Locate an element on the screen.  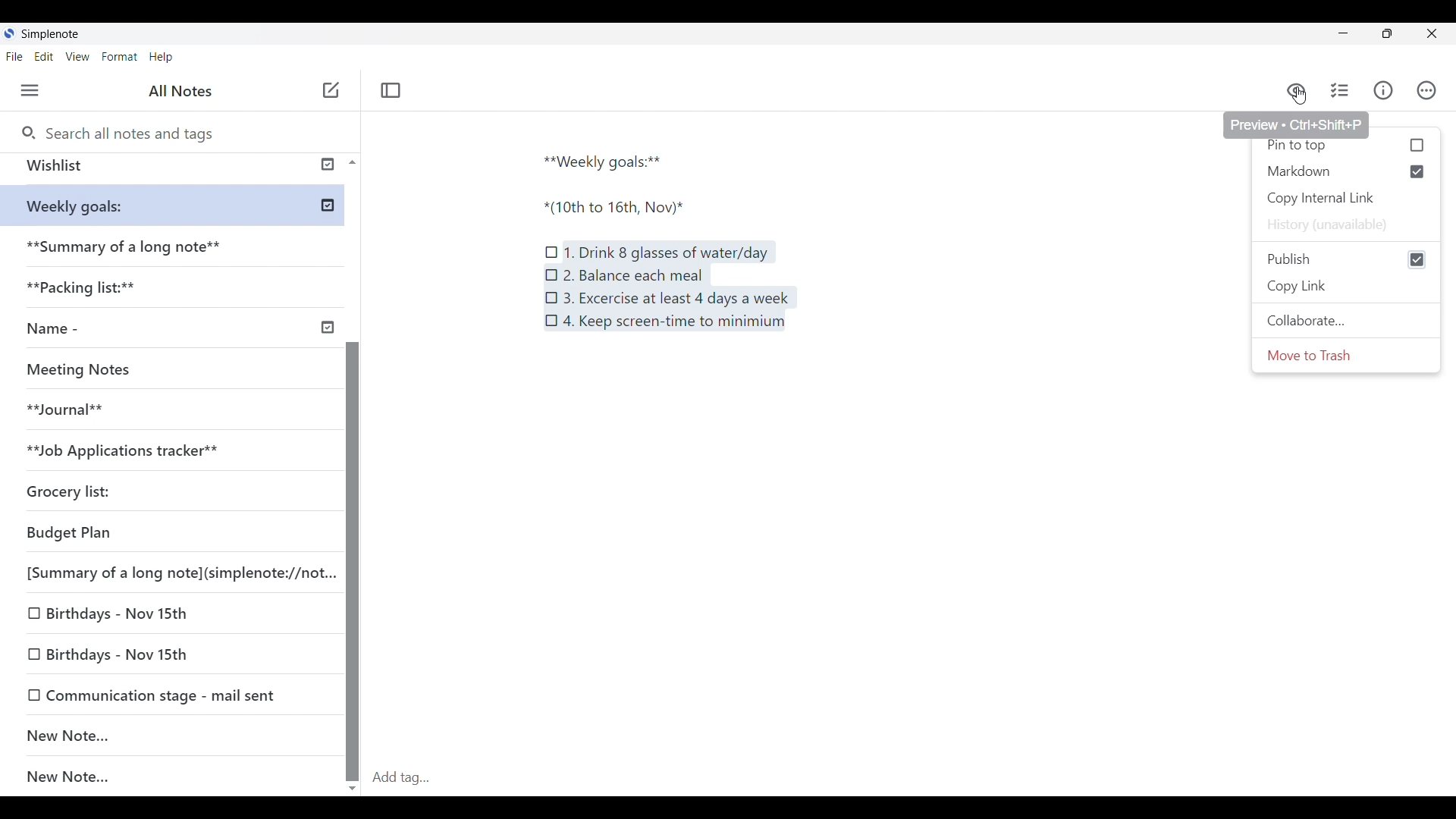
History (unavailable) is located at coordinates (1332, 227).